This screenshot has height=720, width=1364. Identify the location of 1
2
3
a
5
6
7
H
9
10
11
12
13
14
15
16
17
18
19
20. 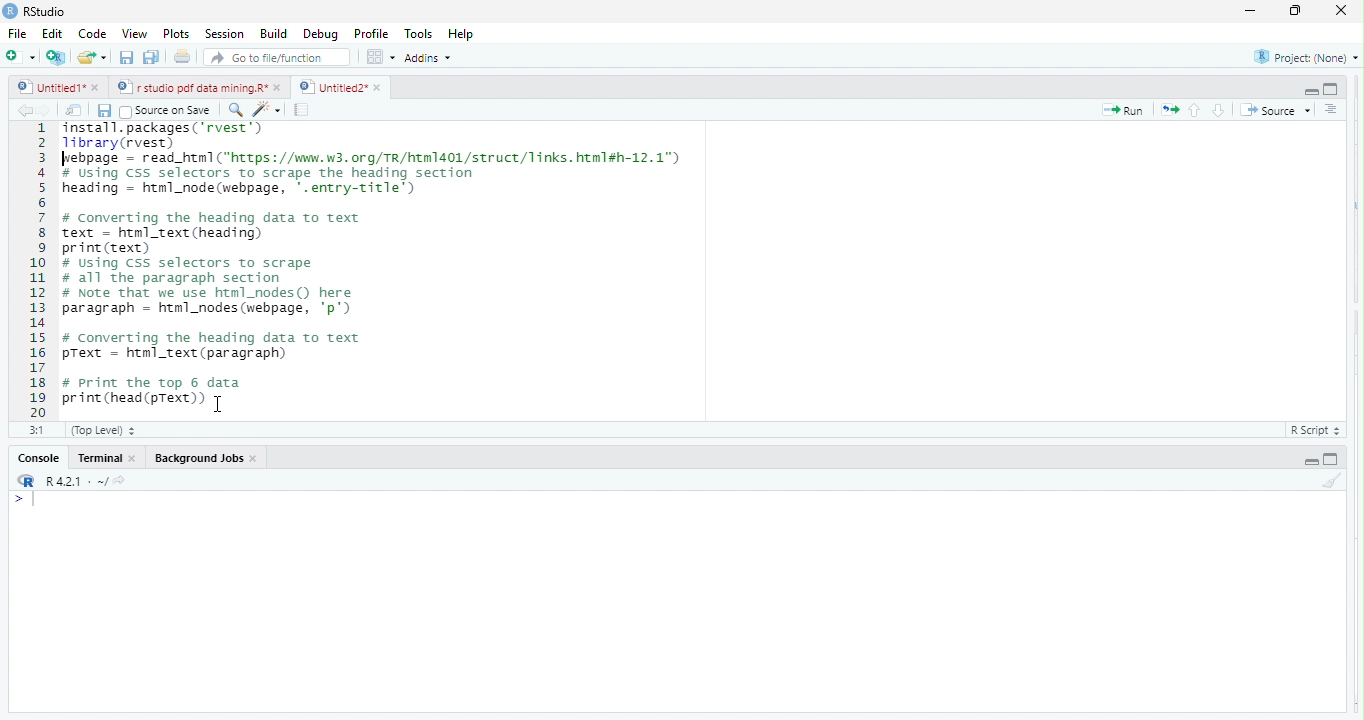
(38, 269).